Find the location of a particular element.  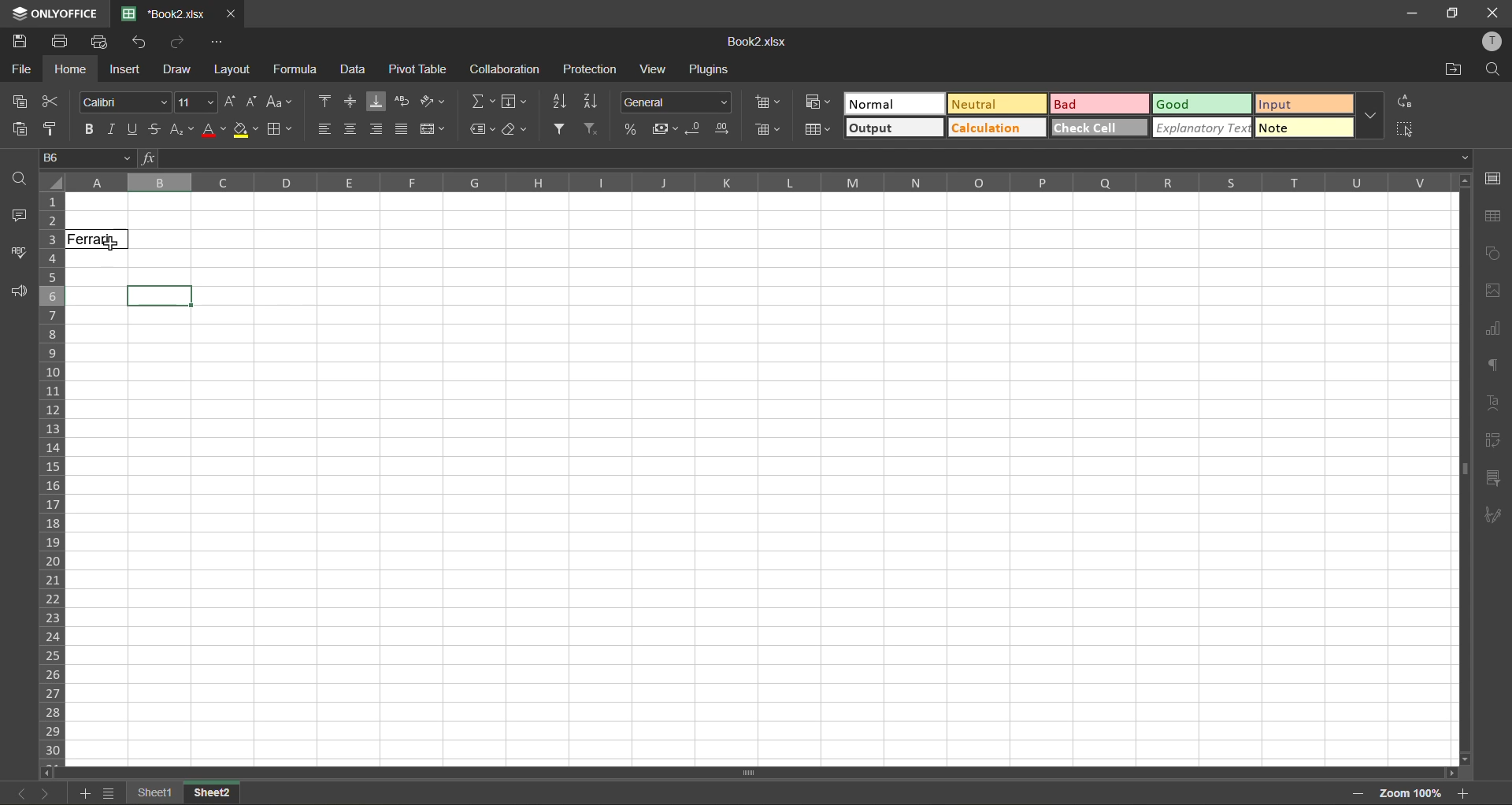

strikethrough is located at coordinates (156, 129).